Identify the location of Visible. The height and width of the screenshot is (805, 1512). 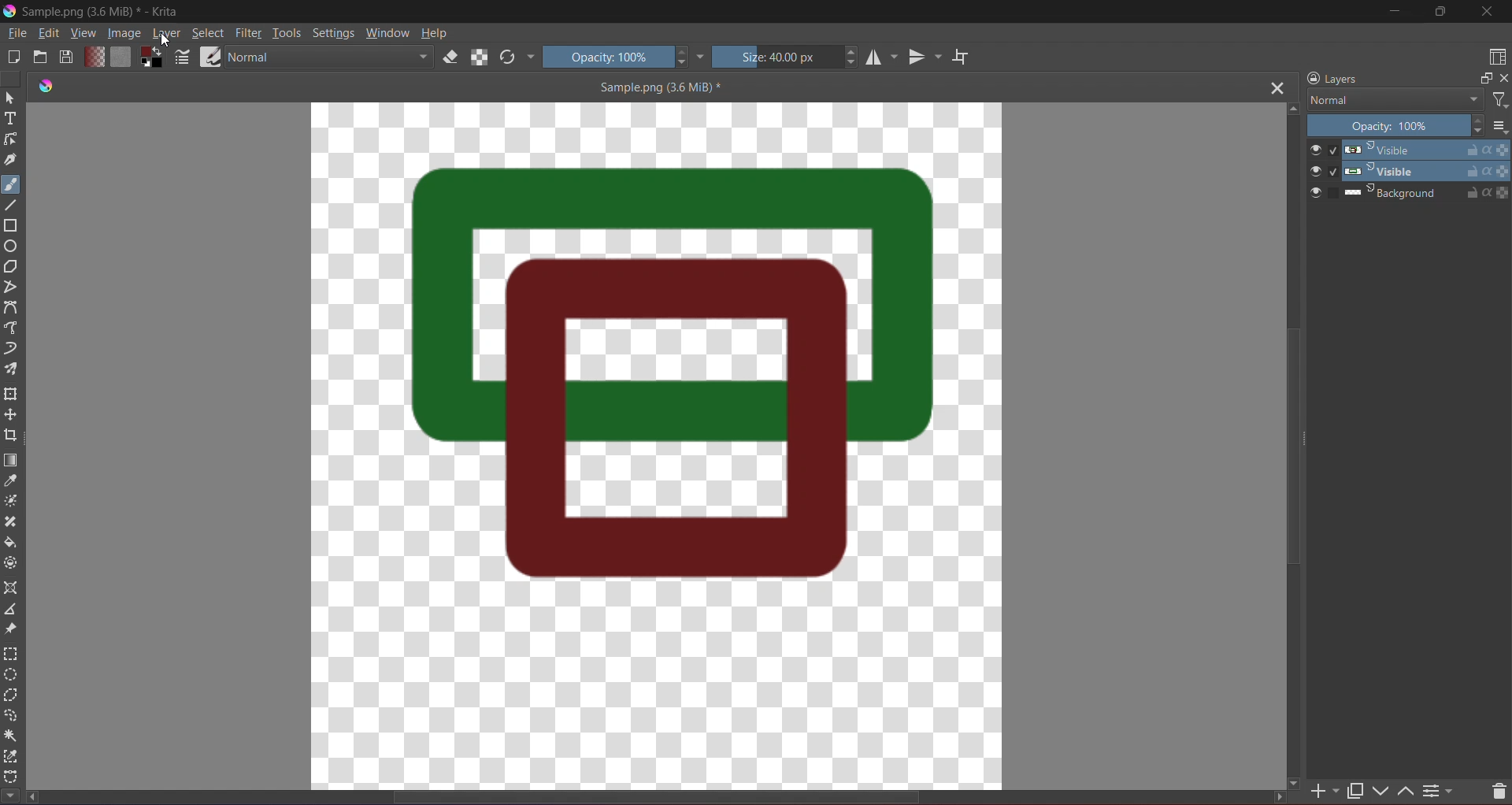
(1408, 171).